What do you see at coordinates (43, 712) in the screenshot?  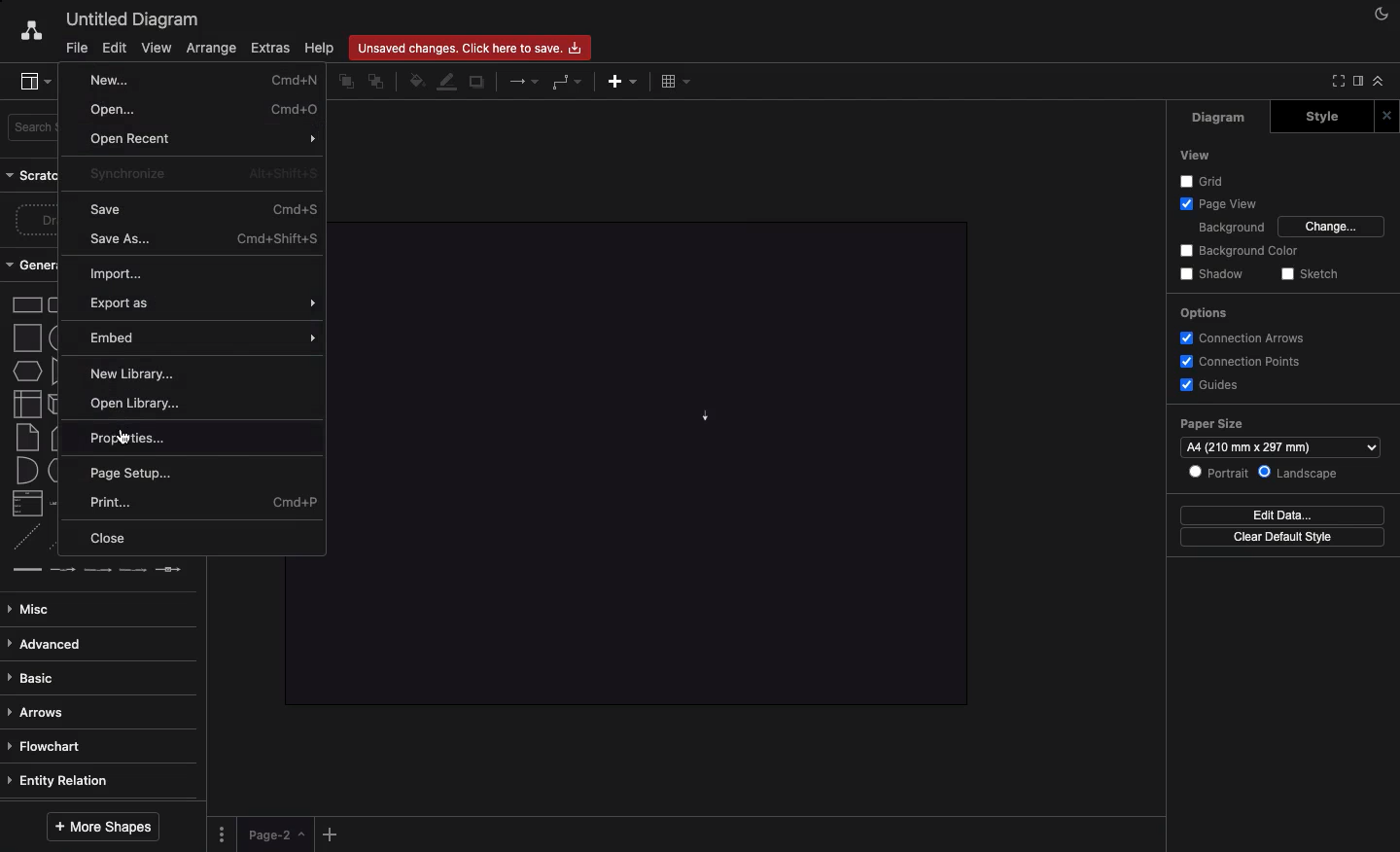 I see `Arrows` at bounding box center [43, 712].